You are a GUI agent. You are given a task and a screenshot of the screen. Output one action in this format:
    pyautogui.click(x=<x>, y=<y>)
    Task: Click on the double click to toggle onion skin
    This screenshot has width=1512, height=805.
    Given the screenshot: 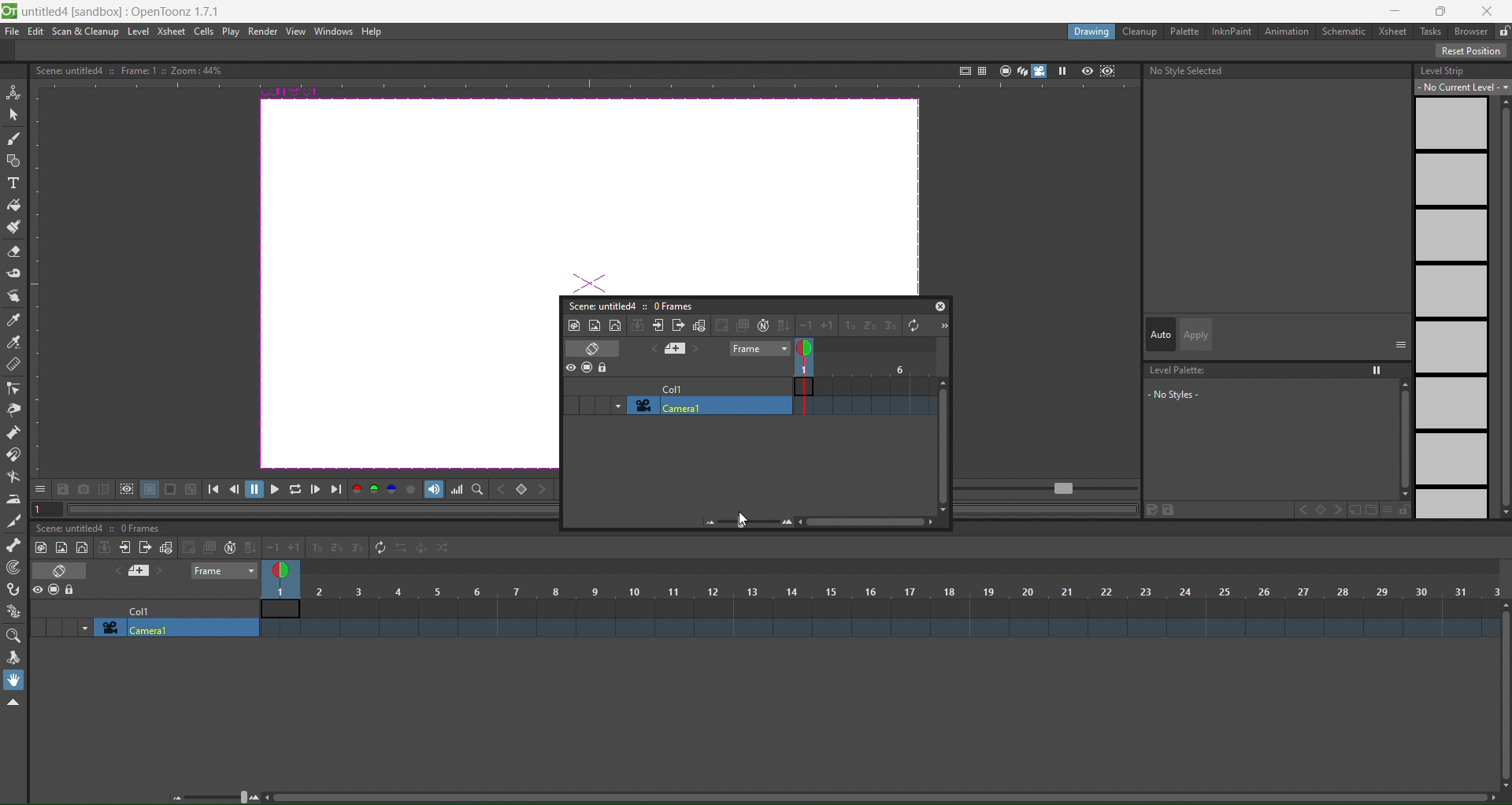 What is the action you would take?
    pyautogui.click(x=813, y=348)
    